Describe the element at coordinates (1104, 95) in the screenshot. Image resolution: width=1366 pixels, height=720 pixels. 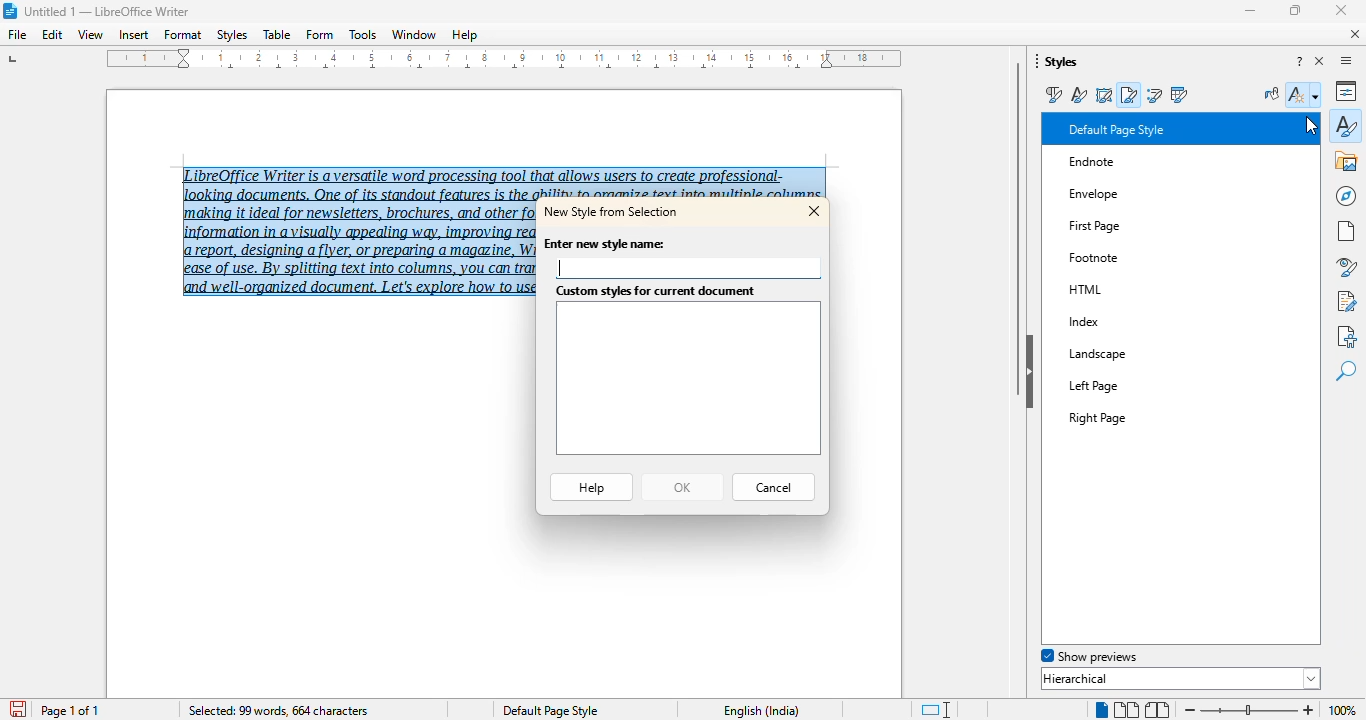
I see `frame styles` at that location.